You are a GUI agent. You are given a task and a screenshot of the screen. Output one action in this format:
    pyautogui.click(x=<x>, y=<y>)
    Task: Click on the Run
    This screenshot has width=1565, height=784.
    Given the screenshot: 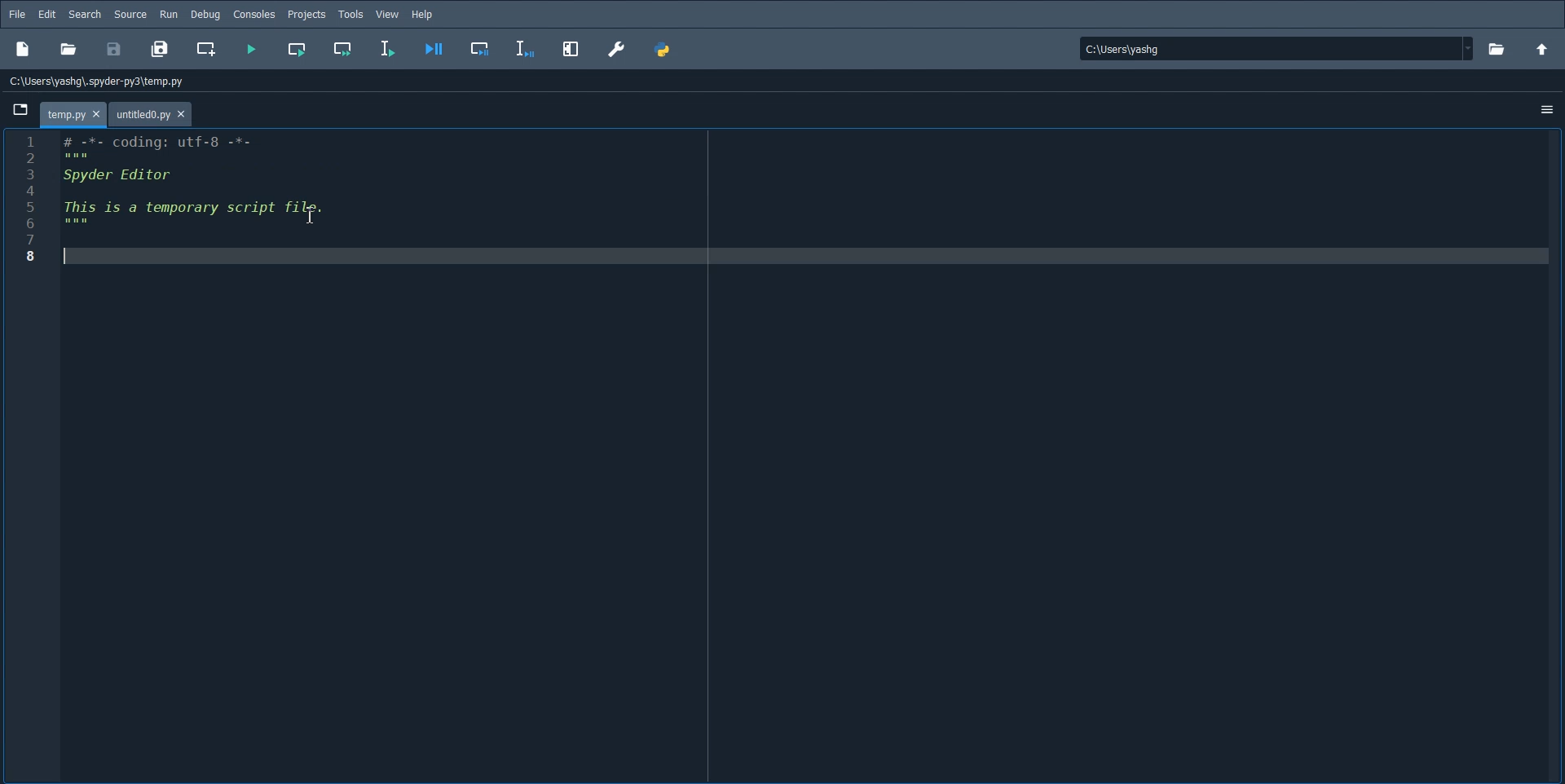 What is the action you would take?
    pyautogui.click(x=170, y=15)
    